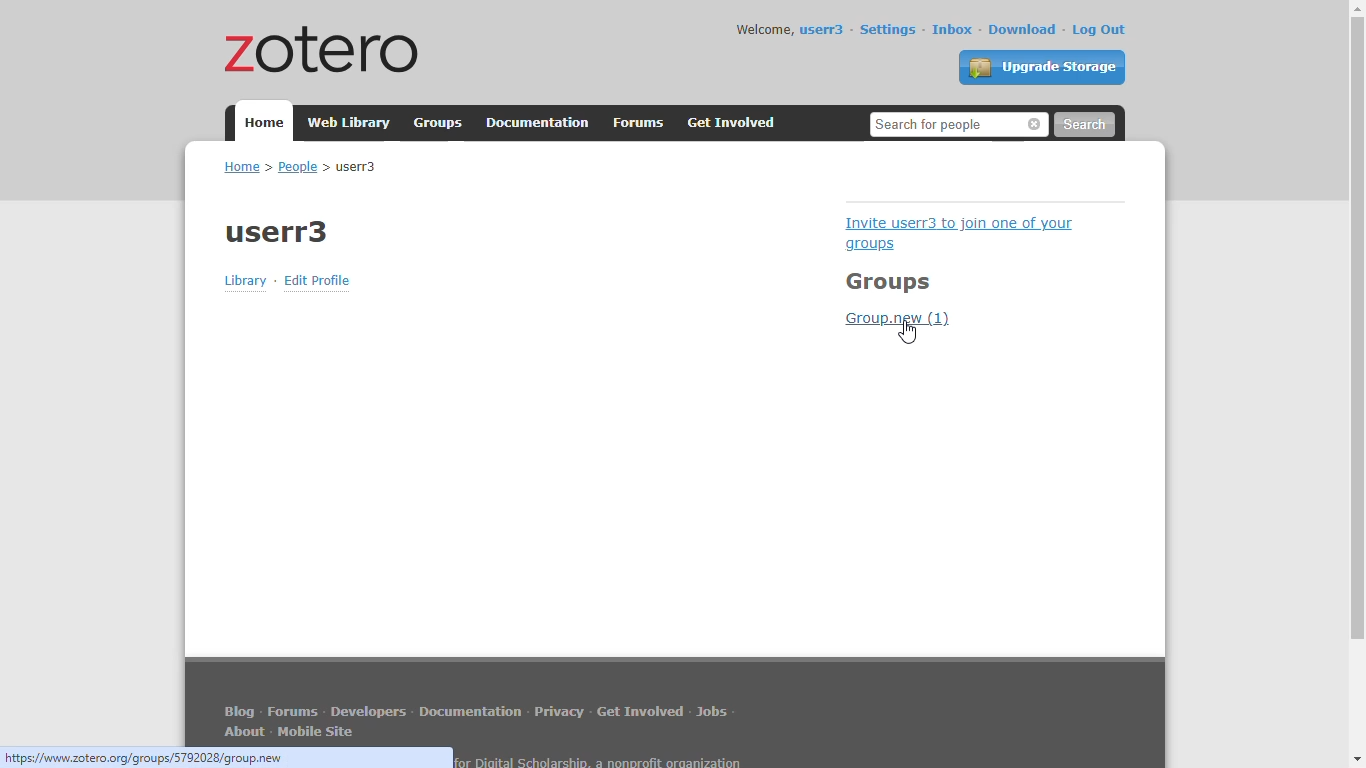  Describe the element at coordinates (538, 123) in the screenshot. I see `documentation` at that location.